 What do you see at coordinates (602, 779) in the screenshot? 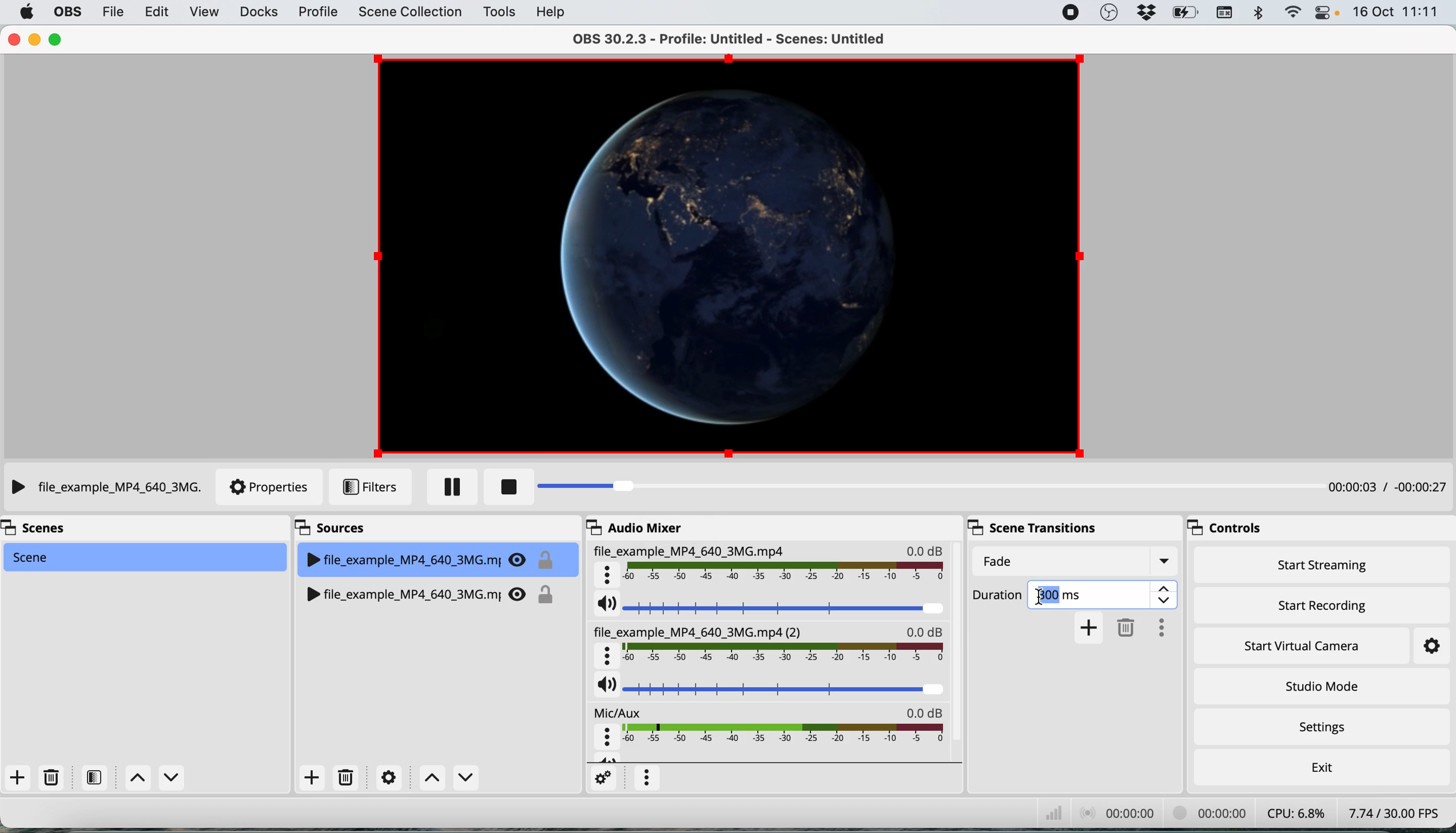
I see `settings` at bounding box center [602, 779].